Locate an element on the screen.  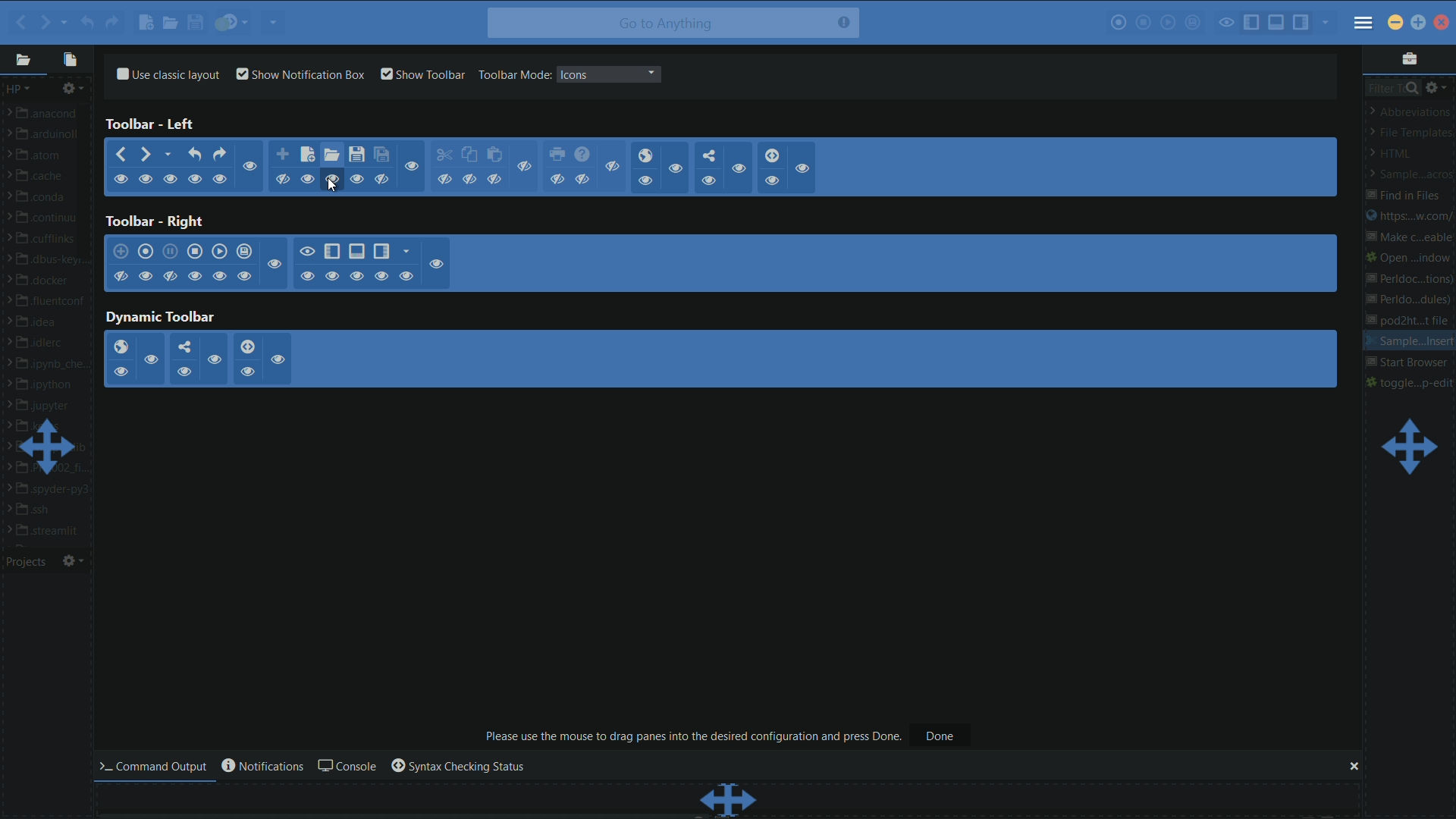
hide/show is located at coordinates (278, 359).